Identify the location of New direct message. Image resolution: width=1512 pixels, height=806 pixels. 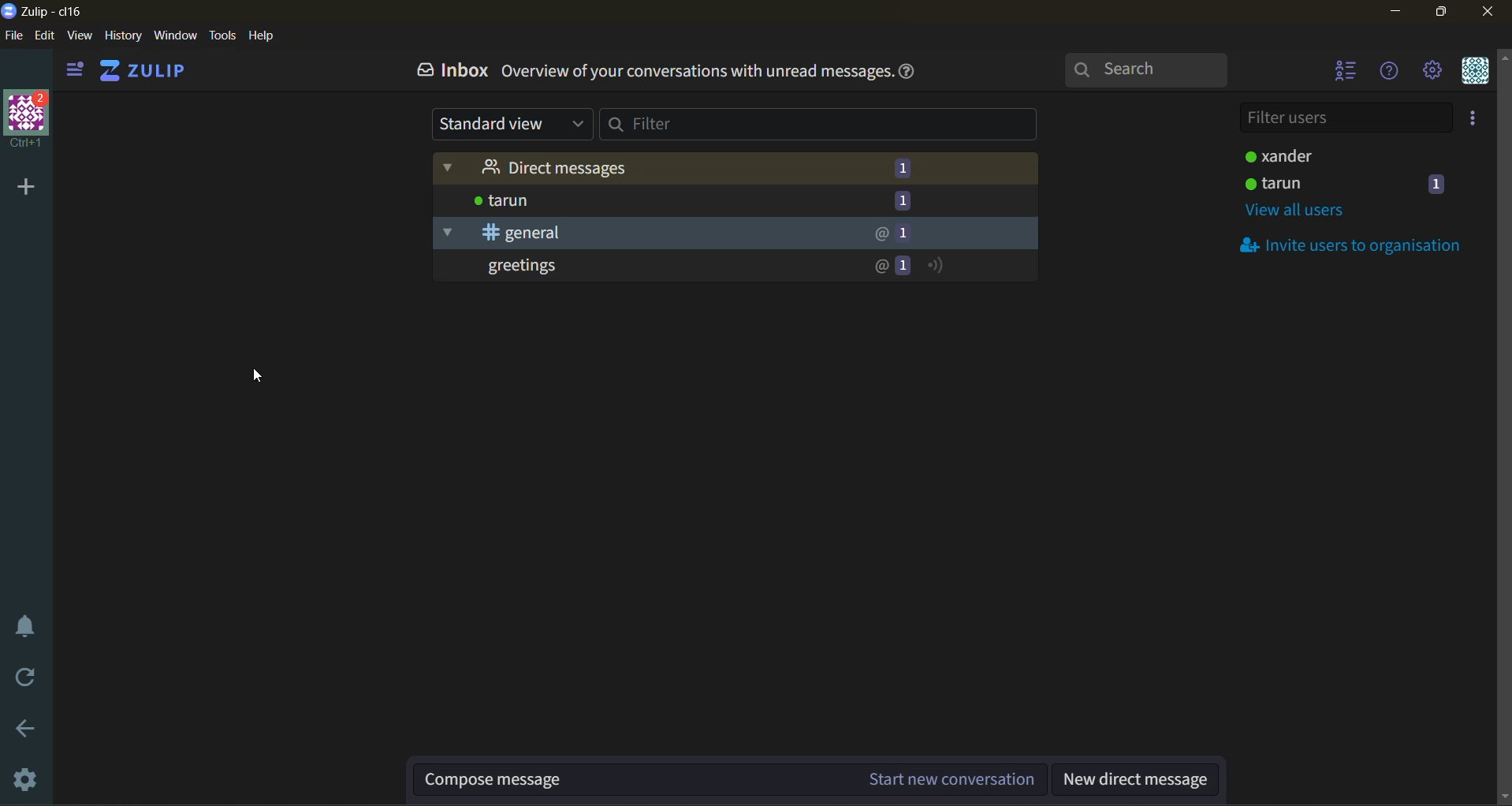
(1149, 778).